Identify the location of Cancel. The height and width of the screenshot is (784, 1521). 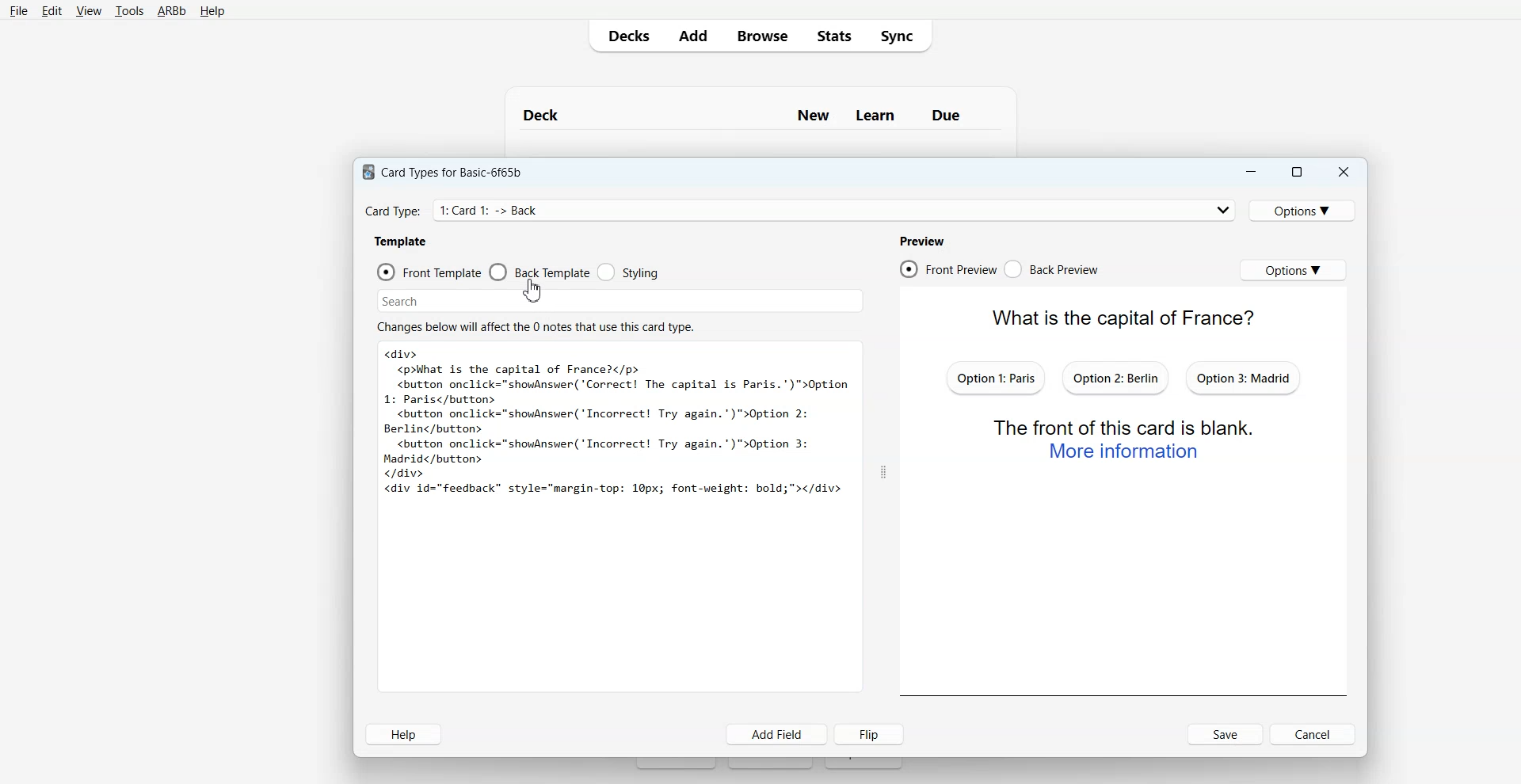
(1313, 734).